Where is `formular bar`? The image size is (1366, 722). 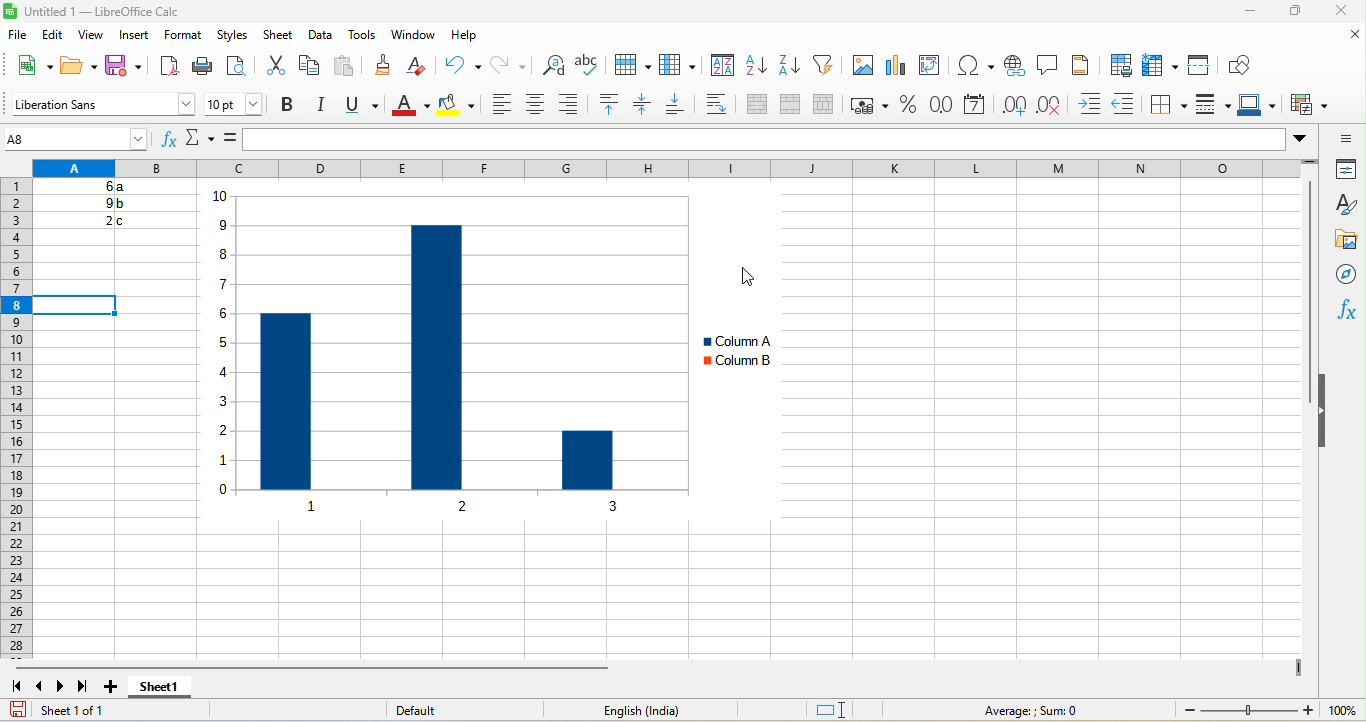
formular bar is located at coordinates (776, 140).